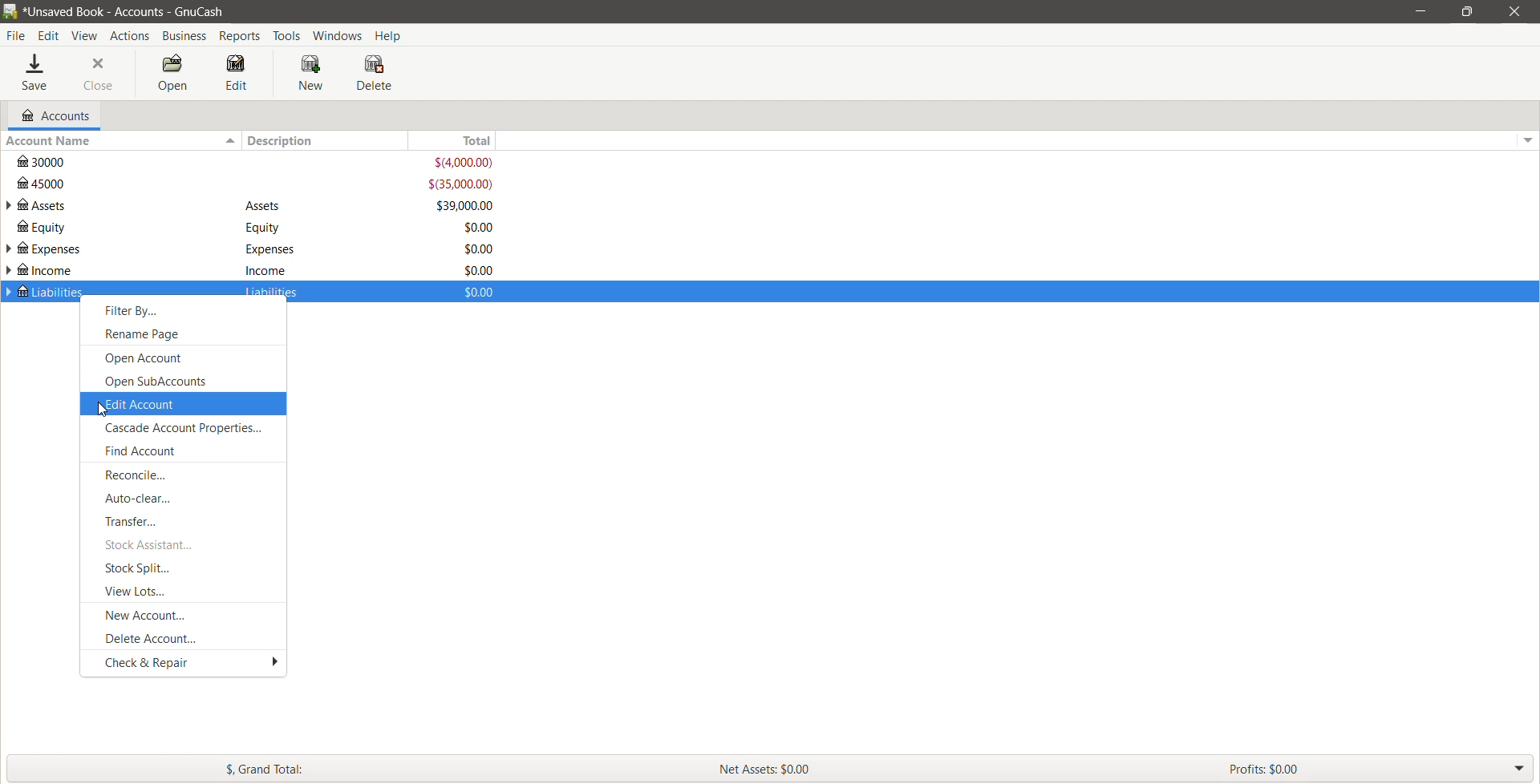 The height and width of the screenshot is (784, 1540). I want to click on Open Account, so click(147, 359).